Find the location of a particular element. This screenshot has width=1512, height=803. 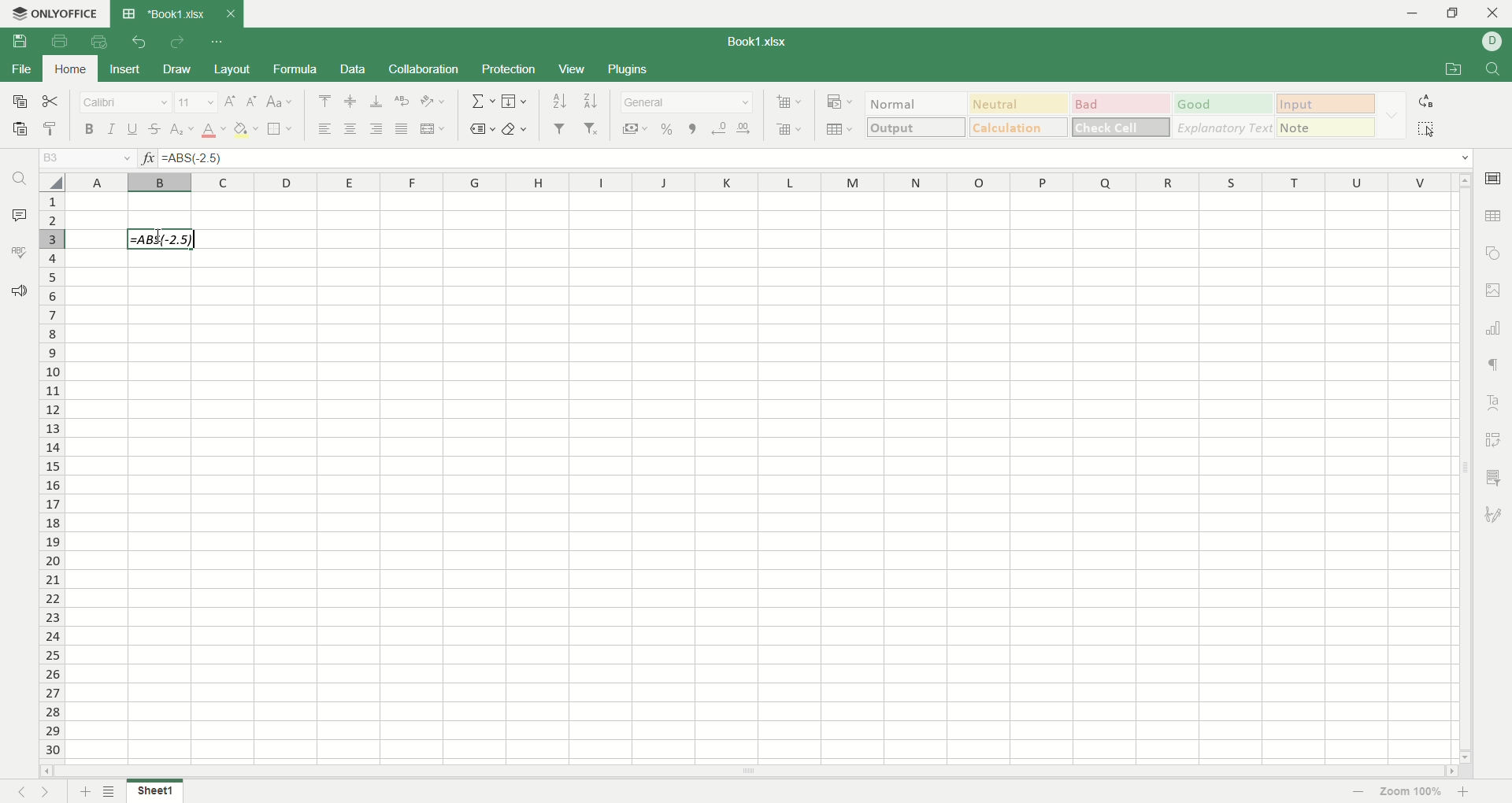

border is located at coordinates (282, 129).